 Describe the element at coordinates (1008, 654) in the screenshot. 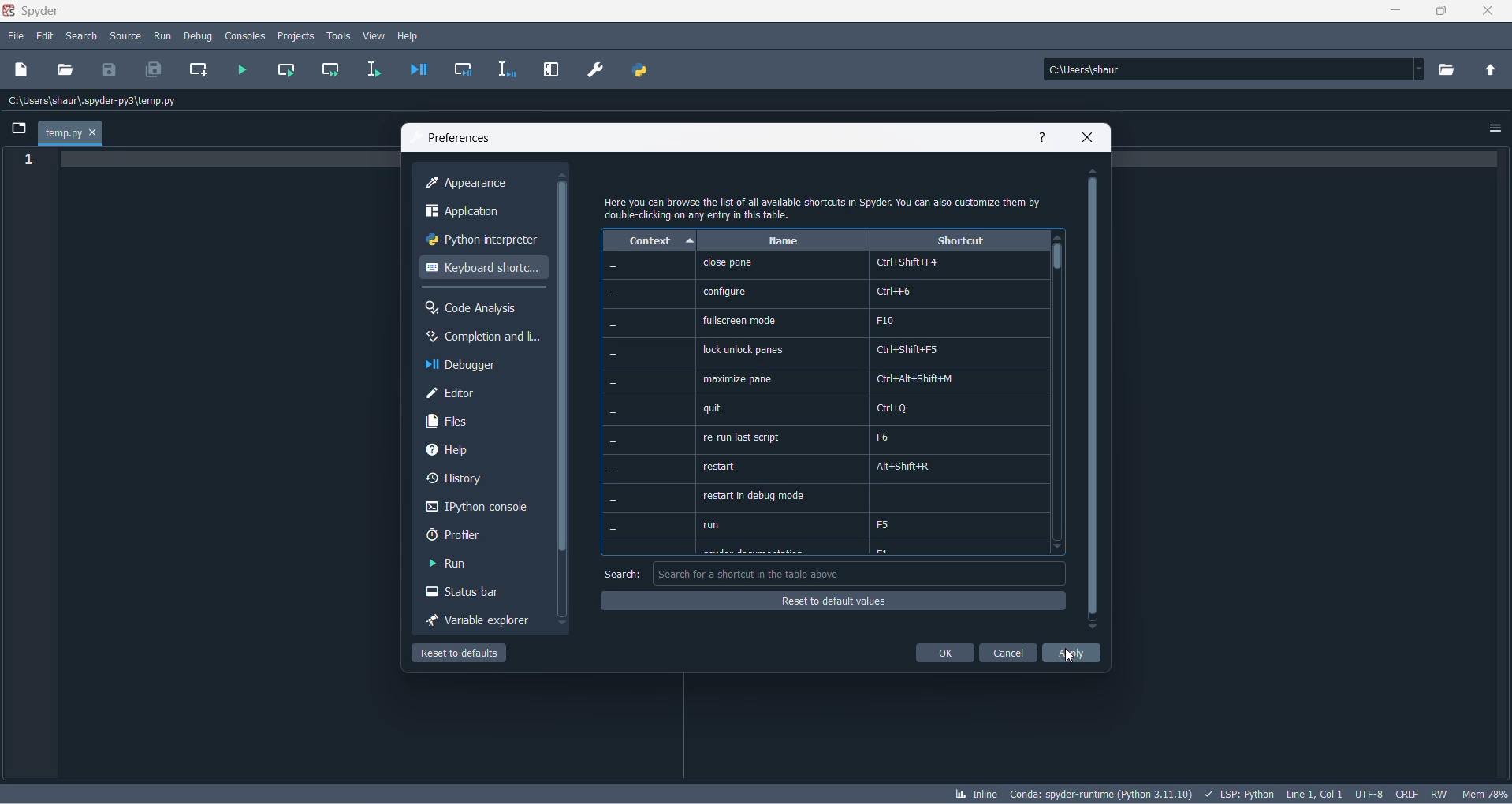

I see `cancel` at that location.